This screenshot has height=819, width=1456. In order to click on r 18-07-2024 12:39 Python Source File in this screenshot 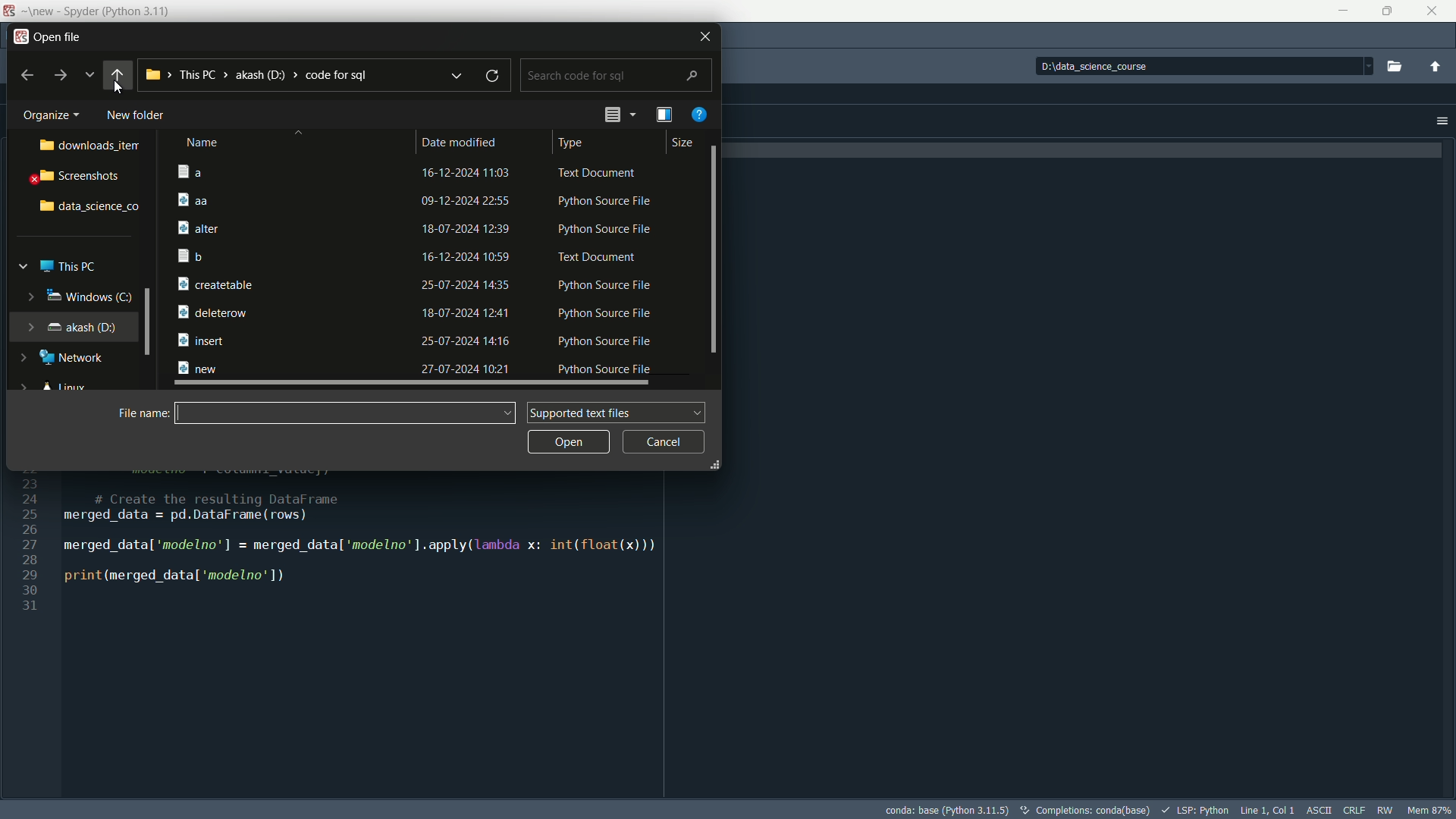, I will do `click(539, 228)`.